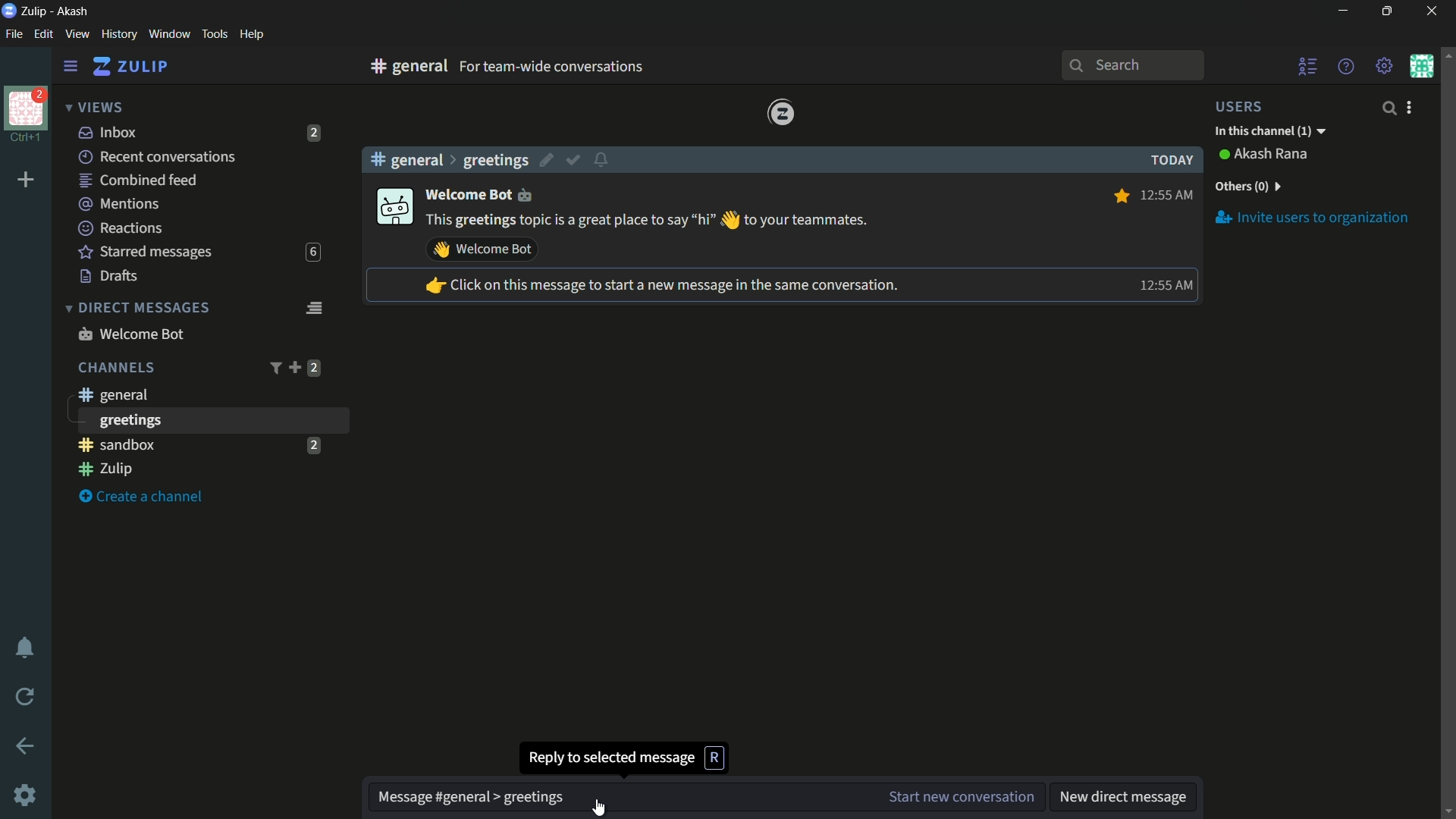 This screenshot has height=819, width=1456. Describe the element at coordinates (1163, 285) in the screenshot. I see `12: 55 AM` at that location.